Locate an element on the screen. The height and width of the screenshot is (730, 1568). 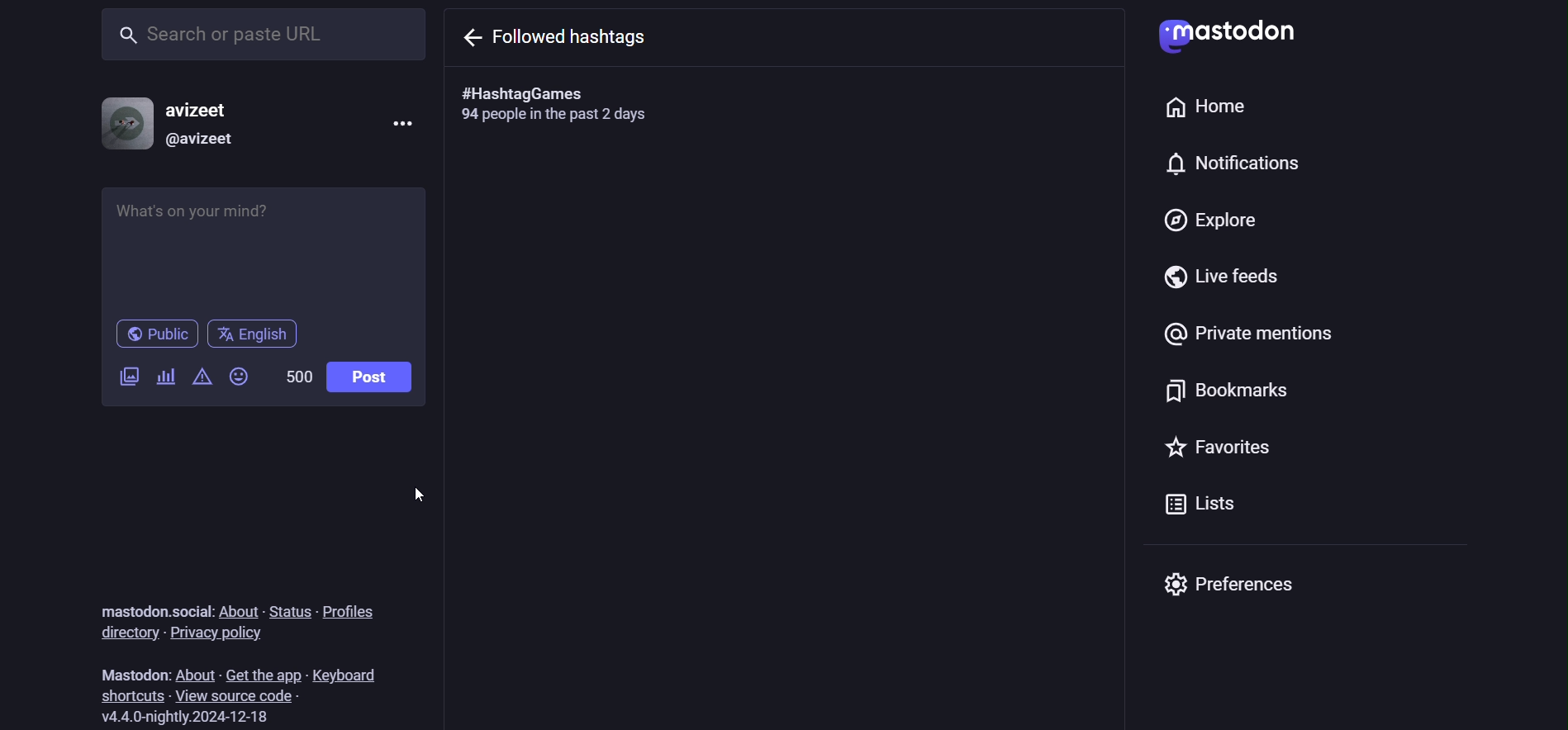
emojis is located at coordinates (244, 377).